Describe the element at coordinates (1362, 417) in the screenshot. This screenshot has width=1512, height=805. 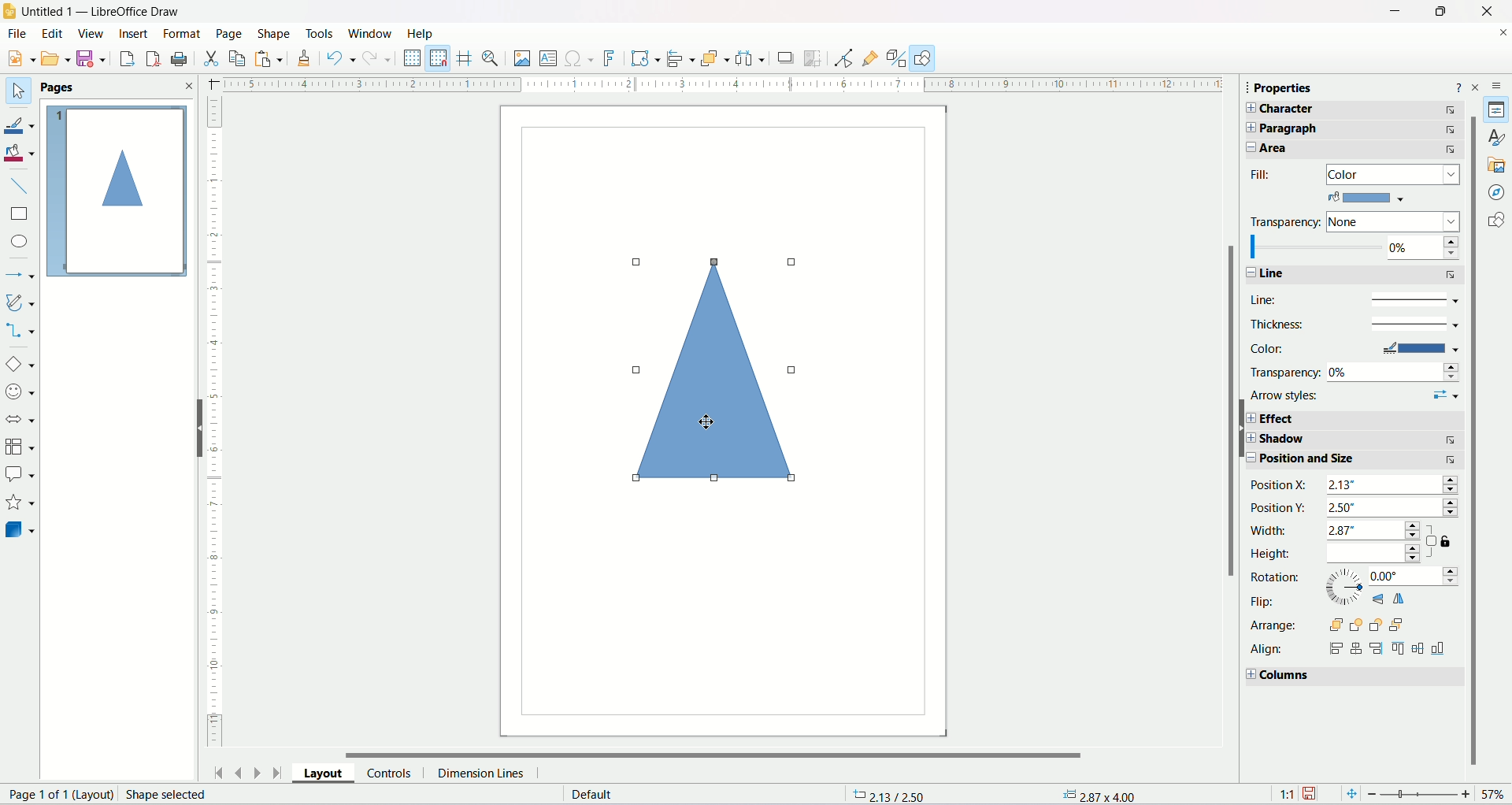
I see `effect` at that location.